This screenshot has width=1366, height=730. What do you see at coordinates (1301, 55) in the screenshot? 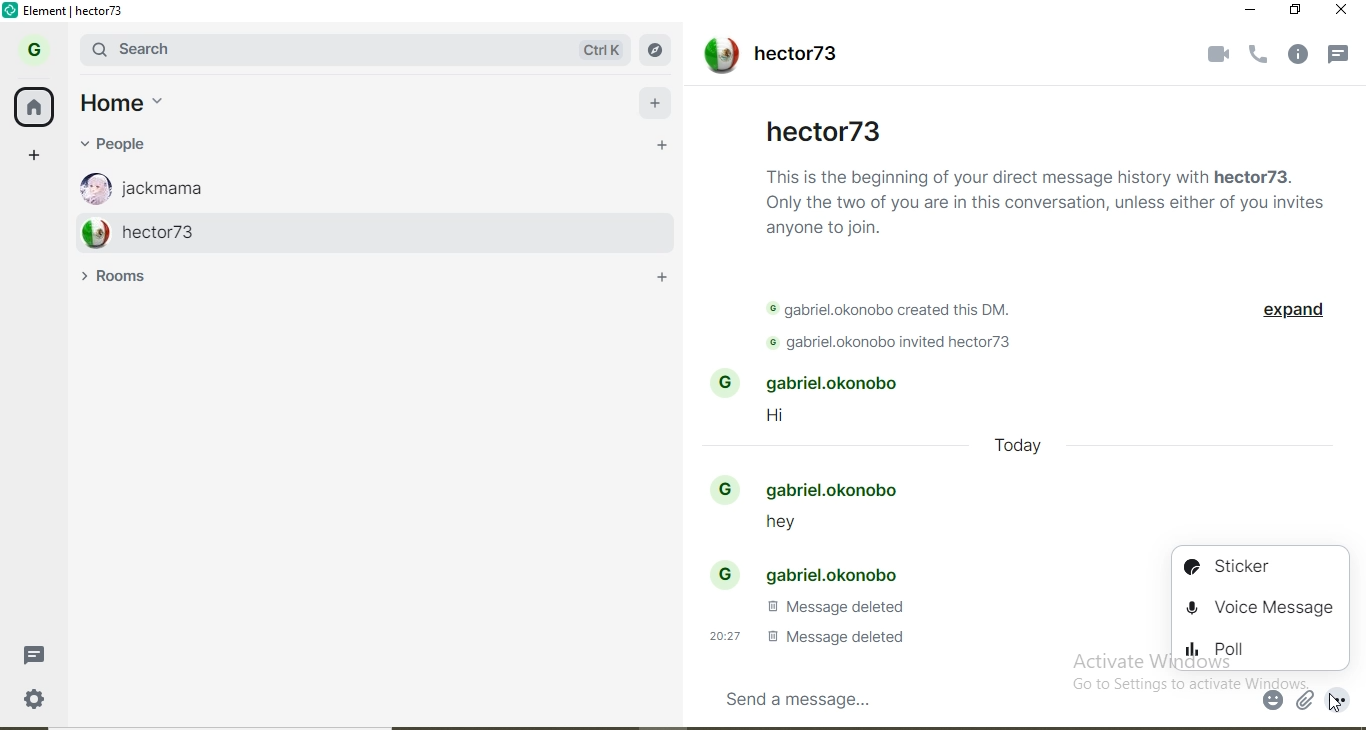
I see `info` at bounding box center [1301, 55].